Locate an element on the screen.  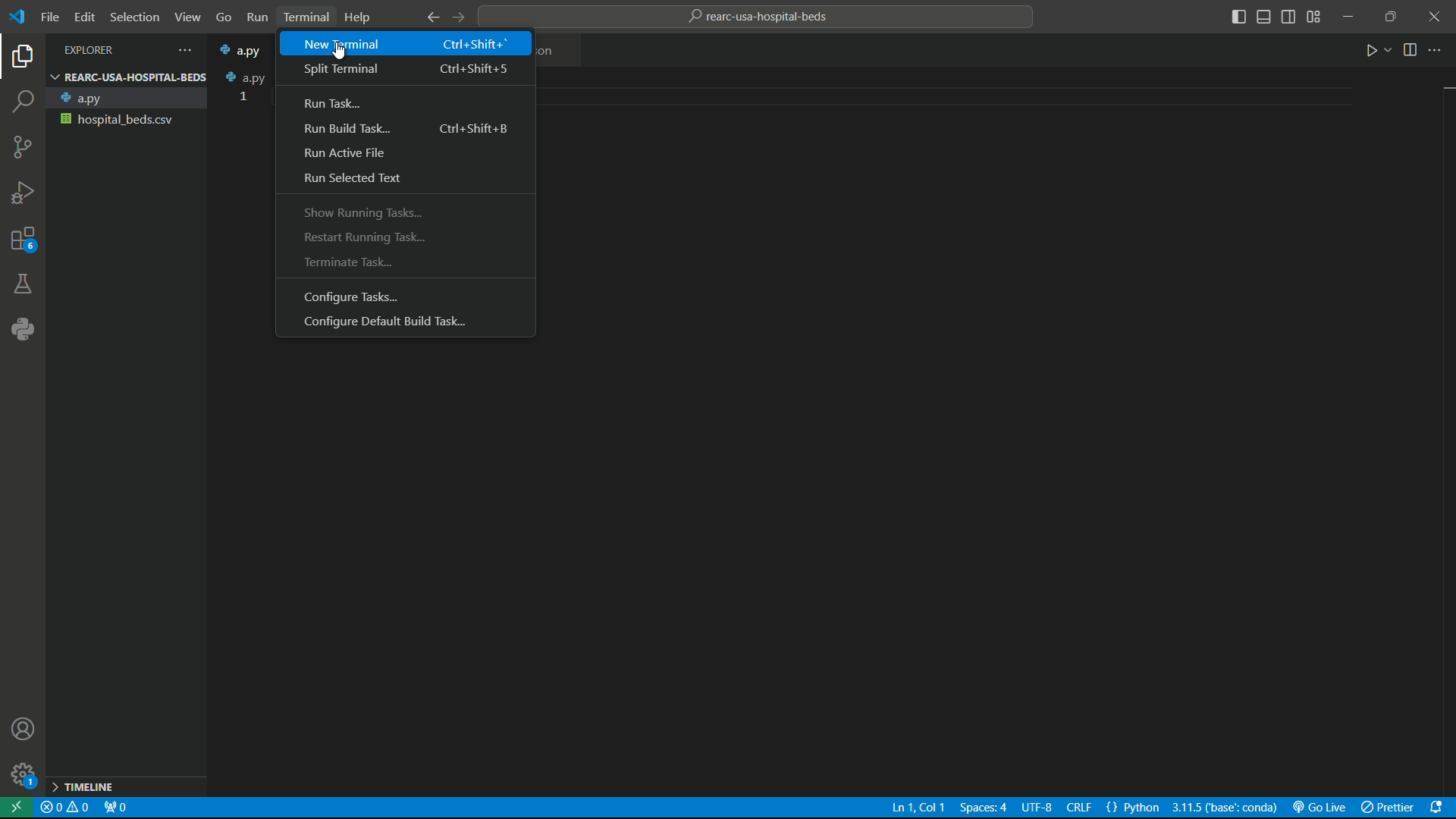
run is located at coordinates (1377, 52).